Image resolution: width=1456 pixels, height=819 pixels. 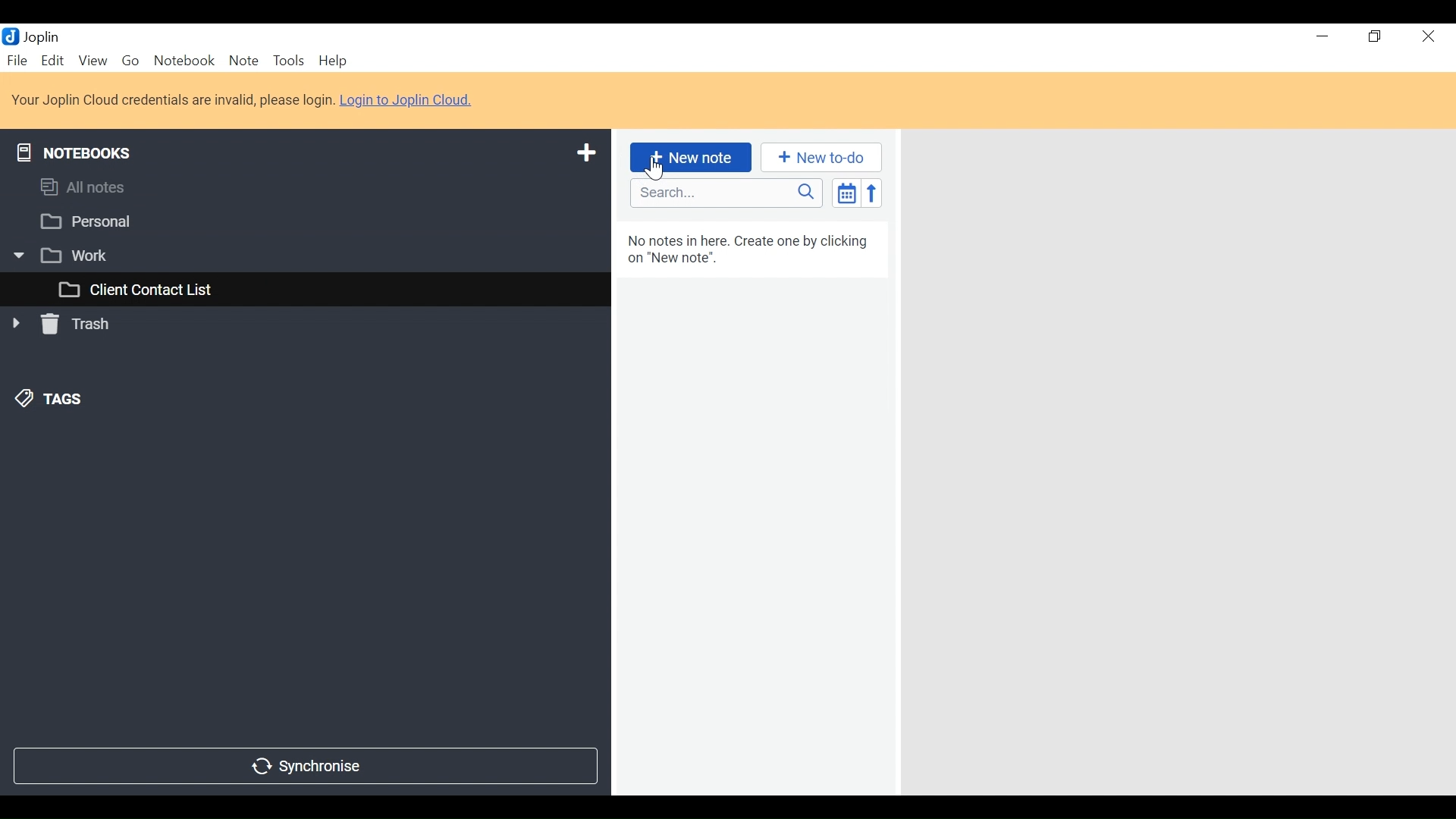 What do you see at coordinates (657, 167) in the screenshot?
I see `cursor` at bounding box center [657, 167].